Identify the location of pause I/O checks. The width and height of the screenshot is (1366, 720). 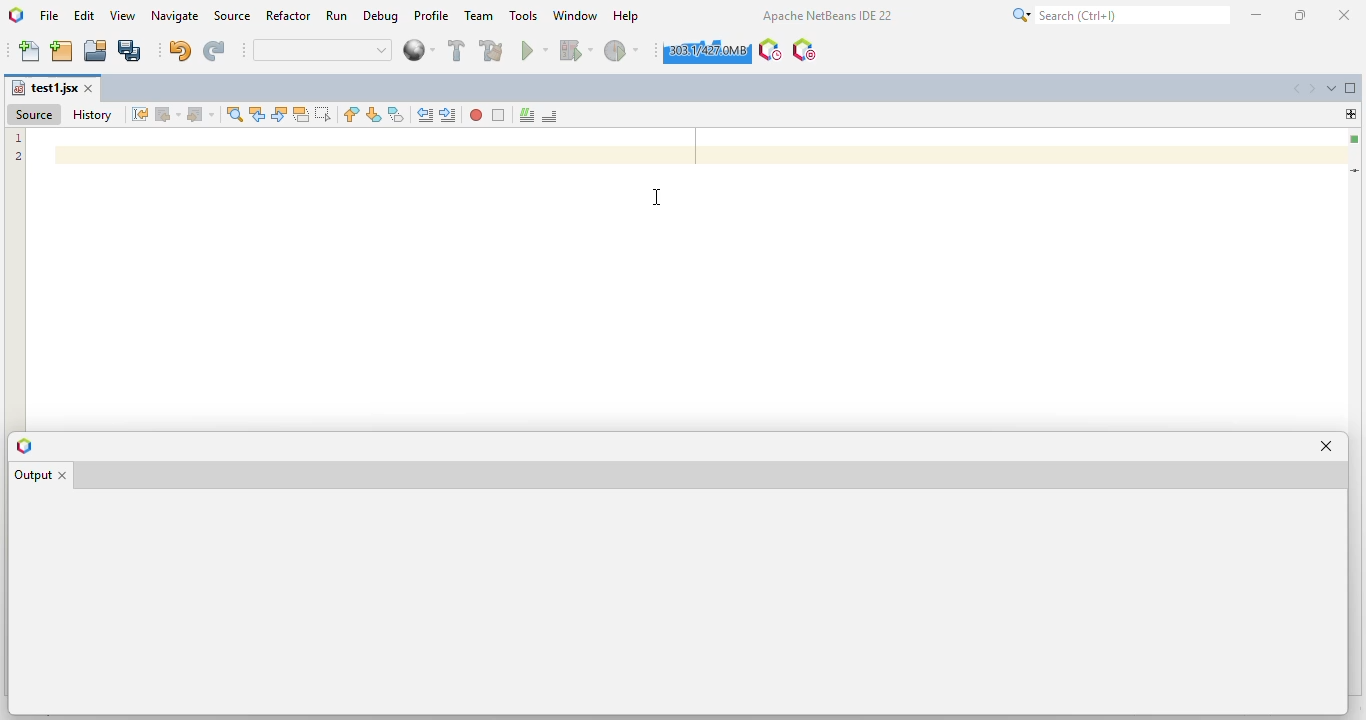
(803, 50).